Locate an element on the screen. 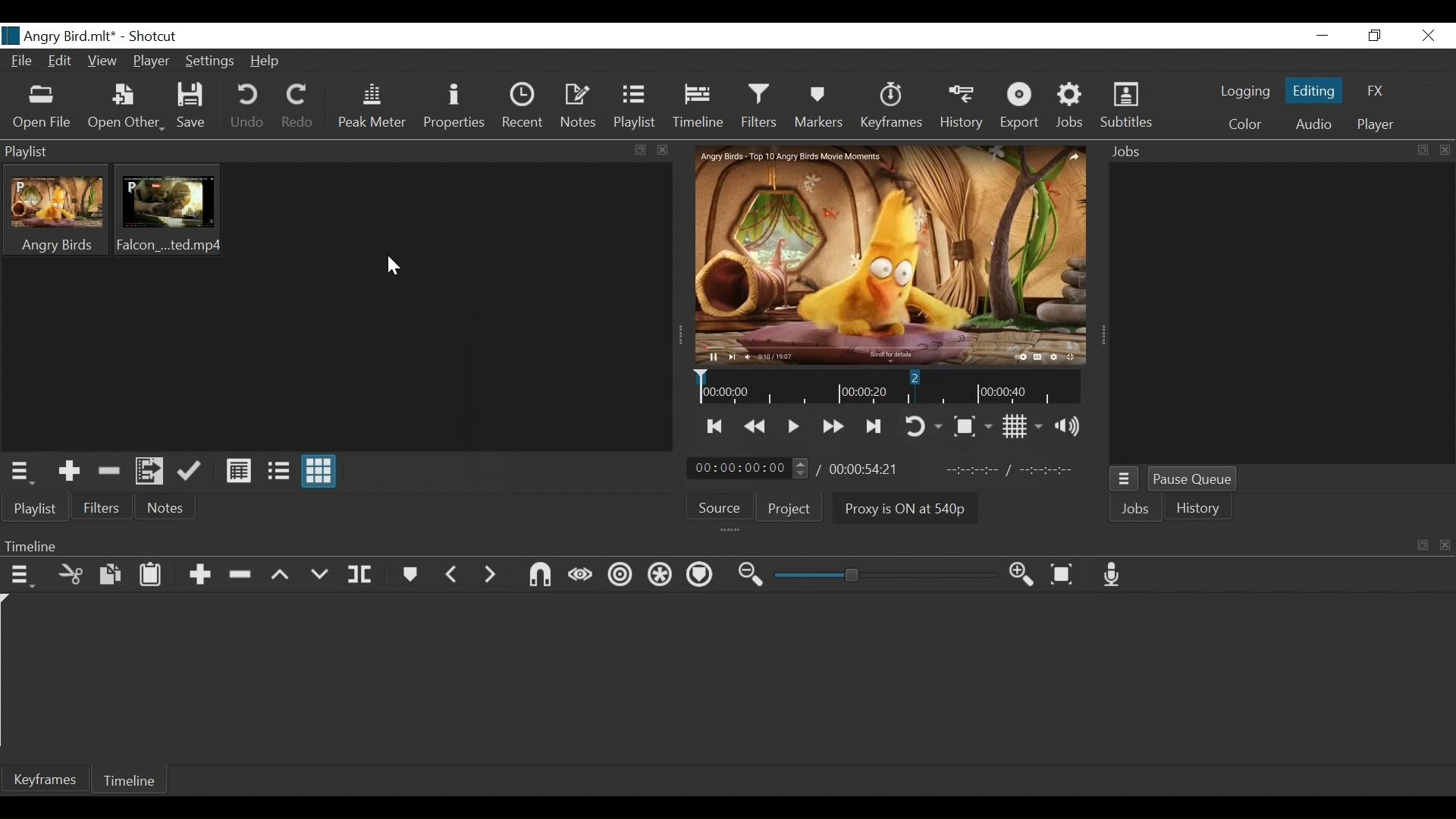  Close is located at coordinates (1428, 35).